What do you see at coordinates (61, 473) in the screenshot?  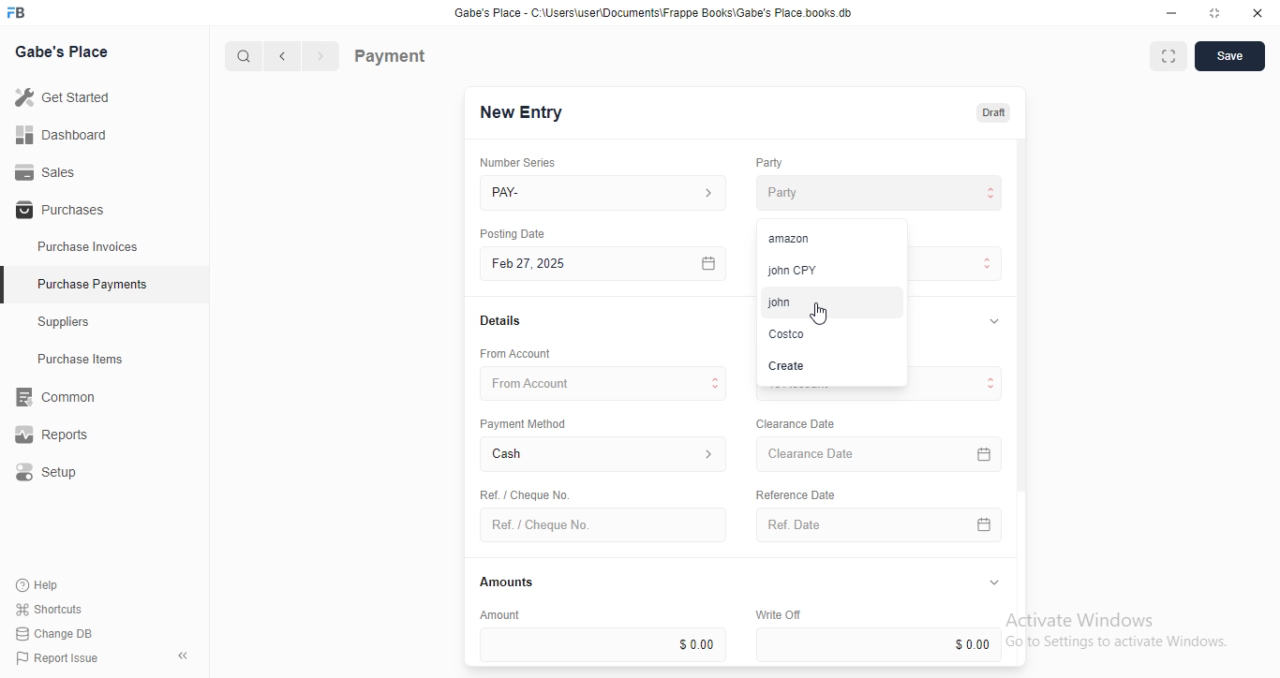 I see `Setup` at bounding box center [61, 473].